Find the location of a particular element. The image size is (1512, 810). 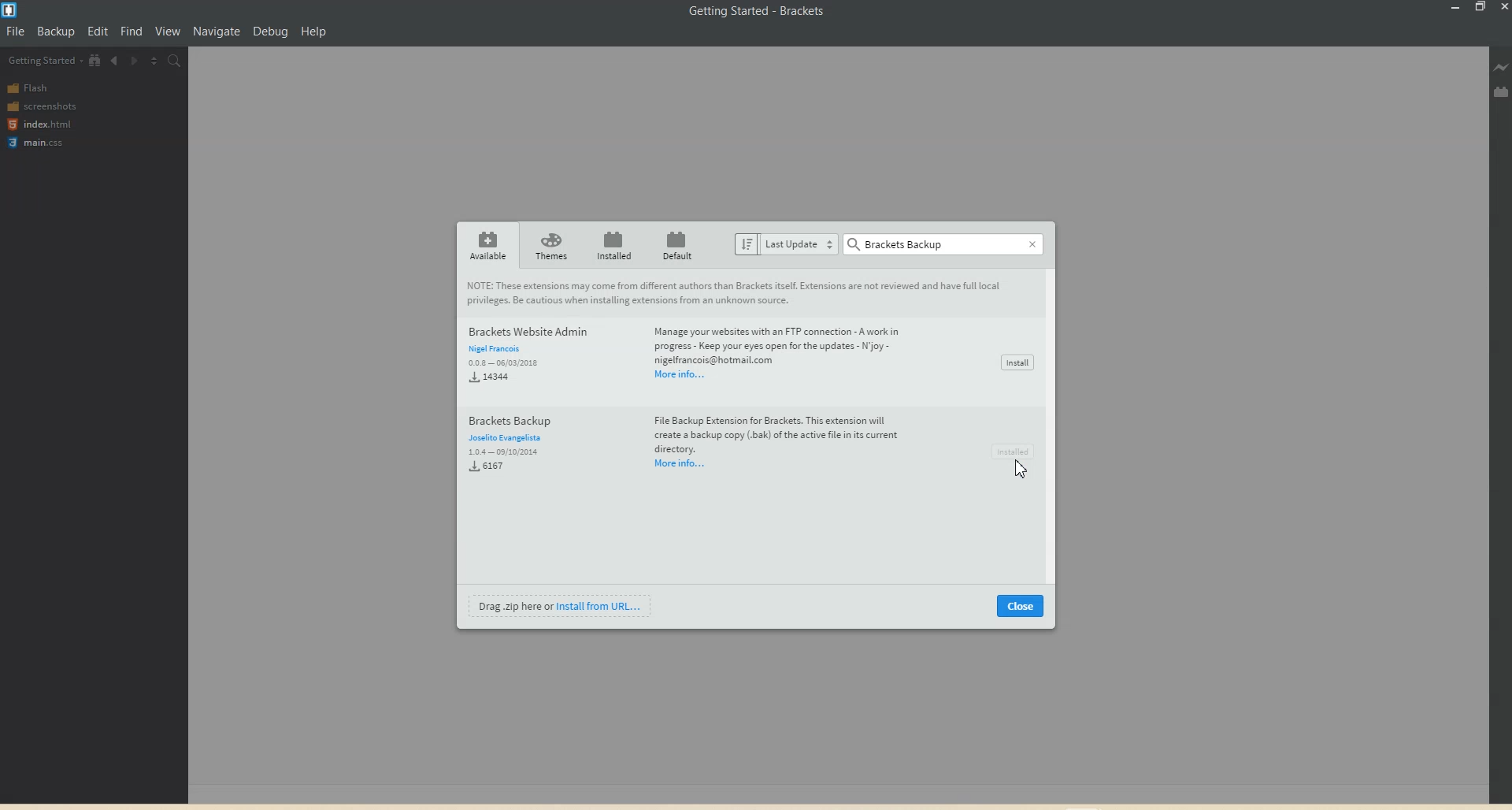

screenshots is located at coordinates (43, 105).